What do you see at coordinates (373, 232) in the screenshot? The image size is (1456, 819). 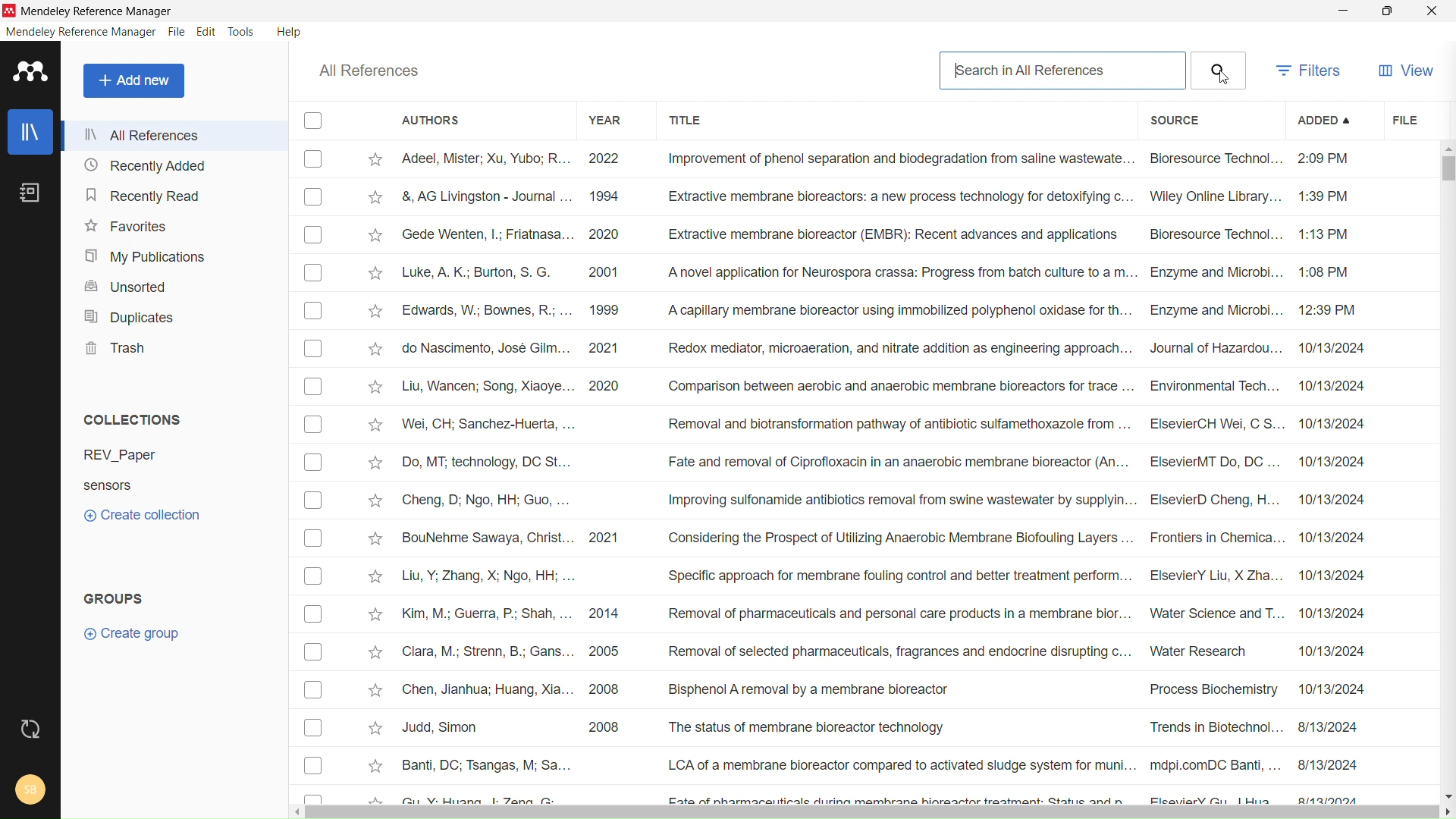 I see `Add to favorites` at bounding box center [373, 232].